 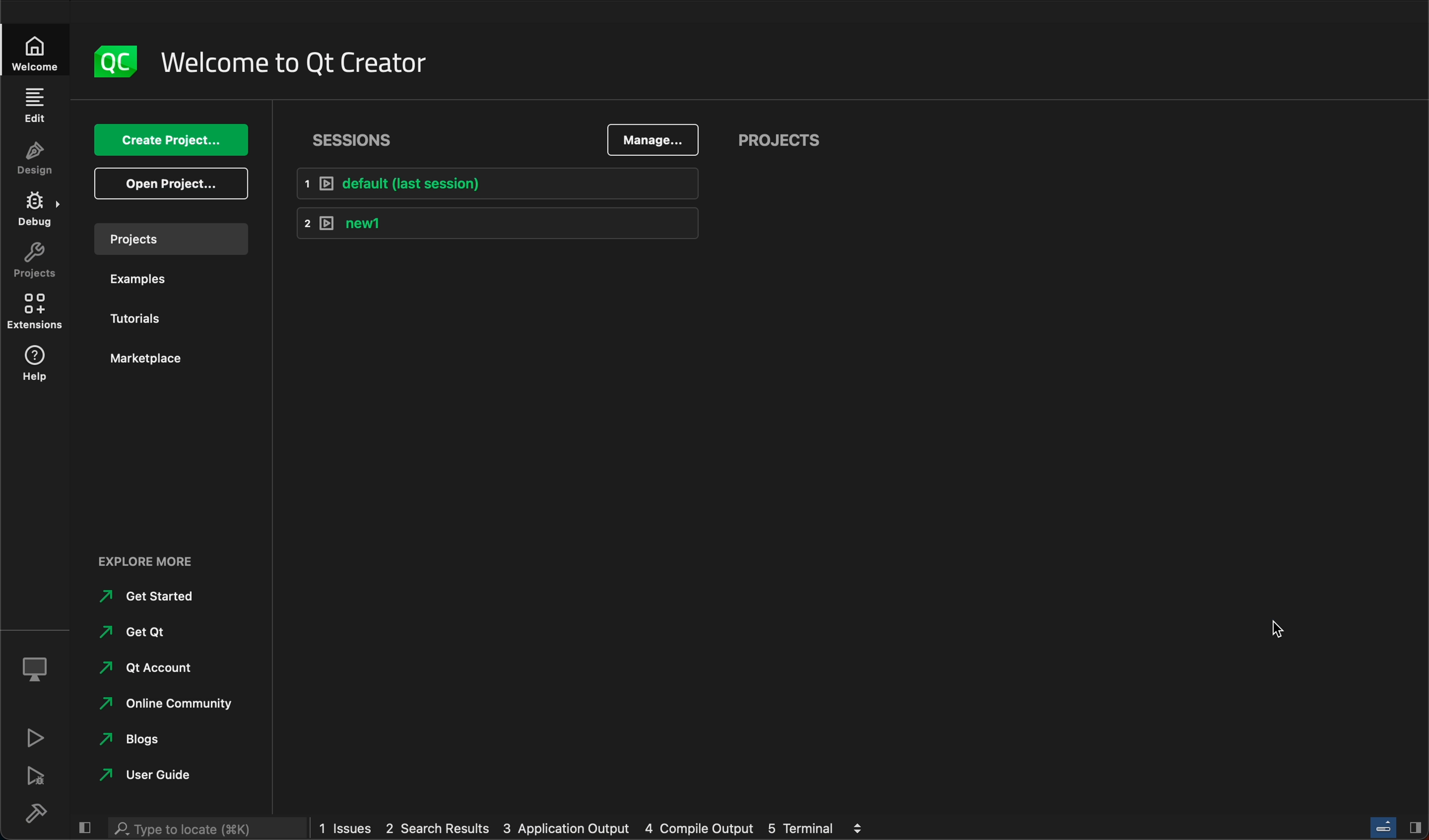 I want to click on help, so click(x=37, y=368).